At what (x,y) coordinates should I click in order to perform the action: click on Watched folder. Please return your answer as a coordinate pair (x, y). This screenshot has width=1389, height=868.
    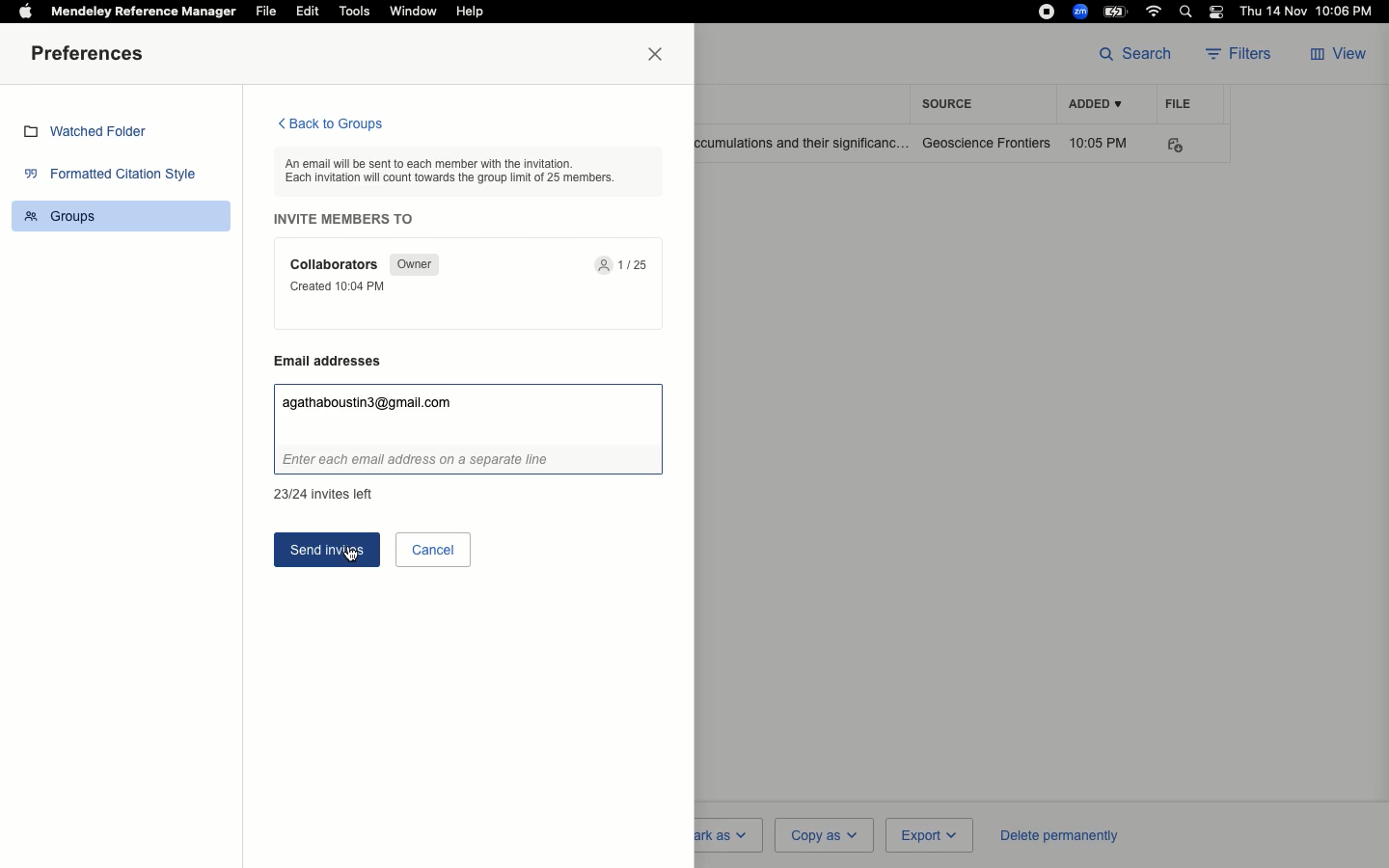
    Looking at the image, I should click on (92, 134).